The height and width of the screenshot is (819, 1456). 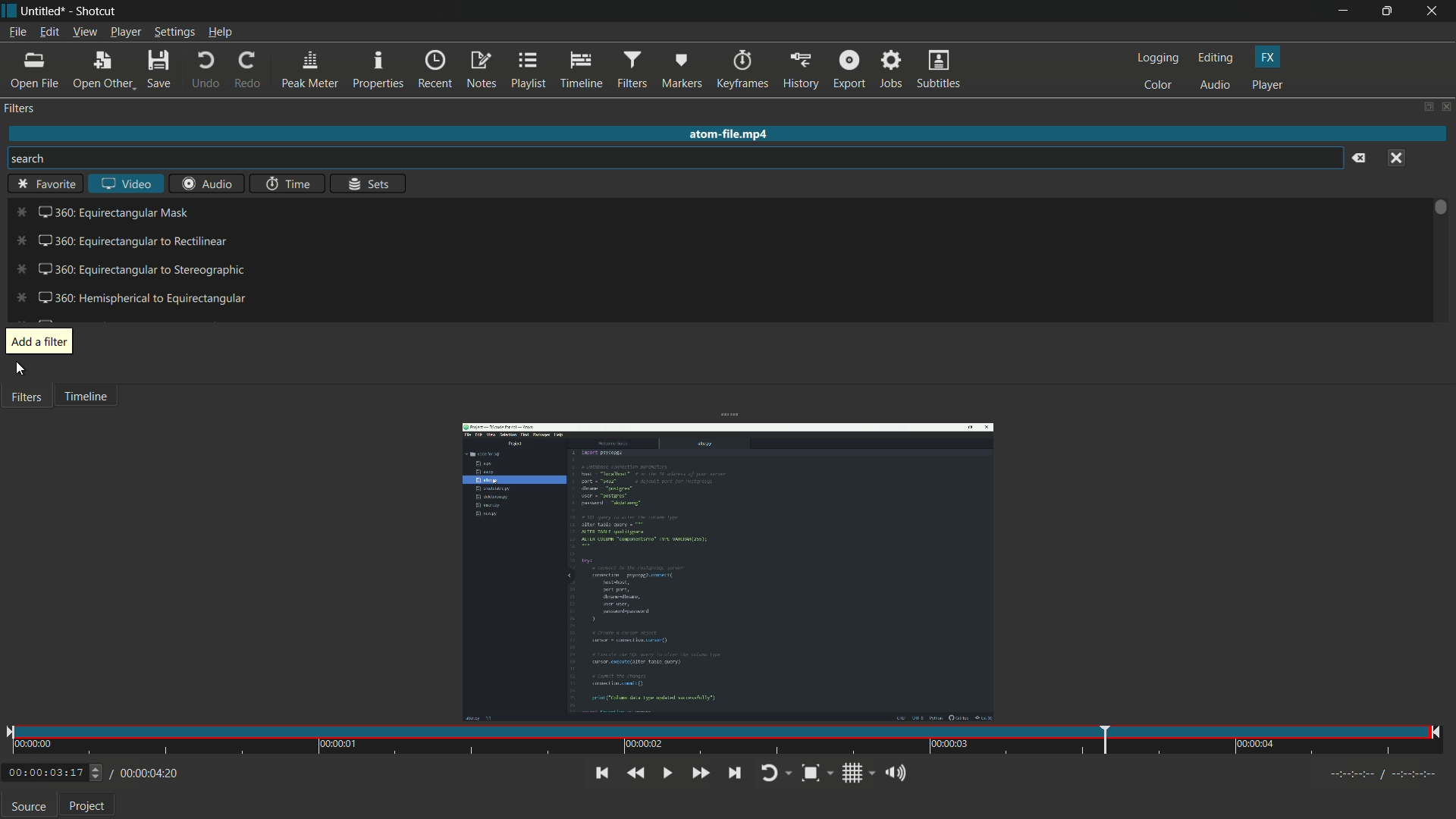 What do you see at coordinates (121, 241) in the screenshot?
I see `360: equirectangular to rectilinear` at bounding box center [121, 241].